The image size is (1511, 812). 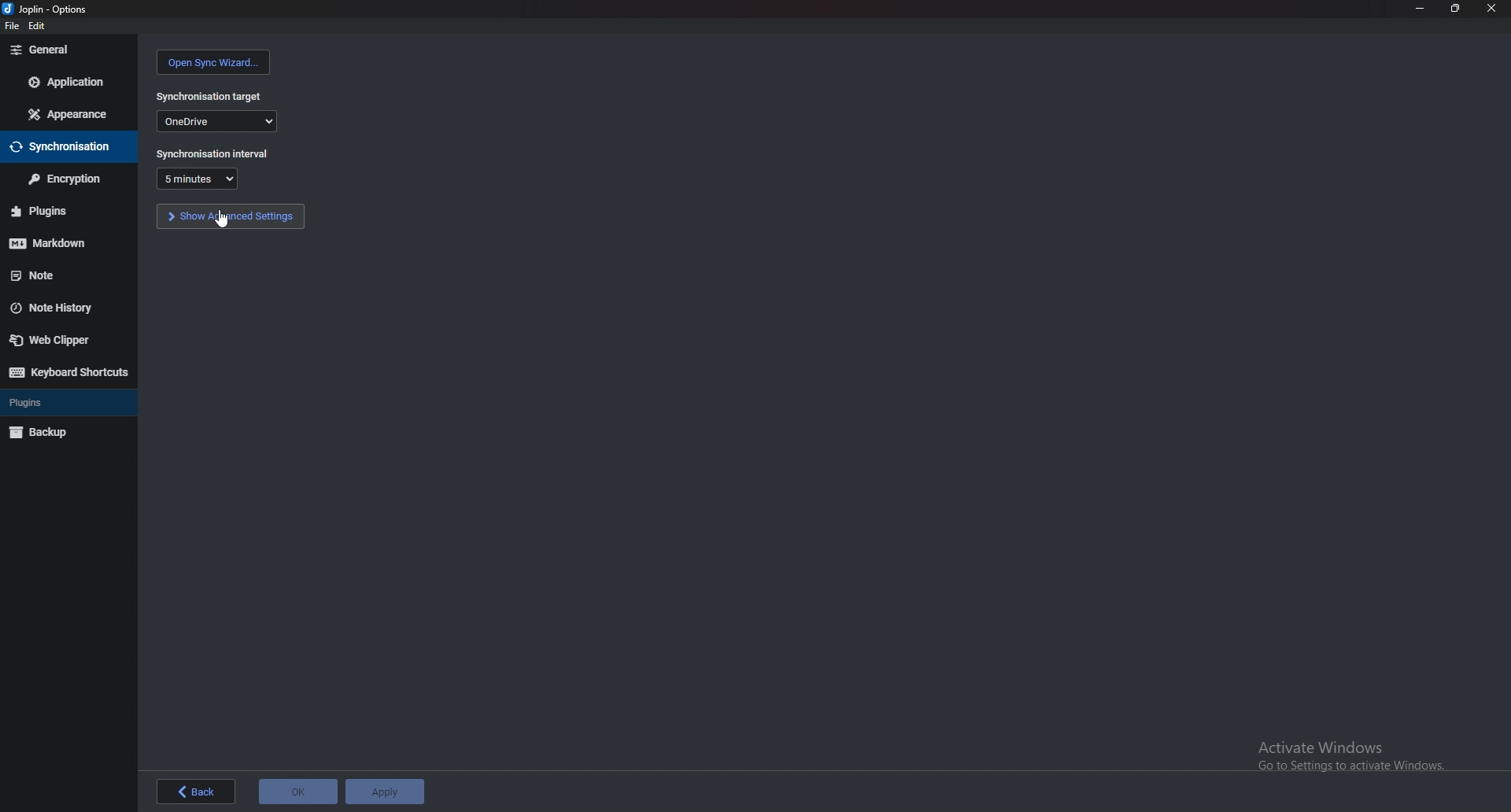 I want to click on file, so click(x=9, y=24).